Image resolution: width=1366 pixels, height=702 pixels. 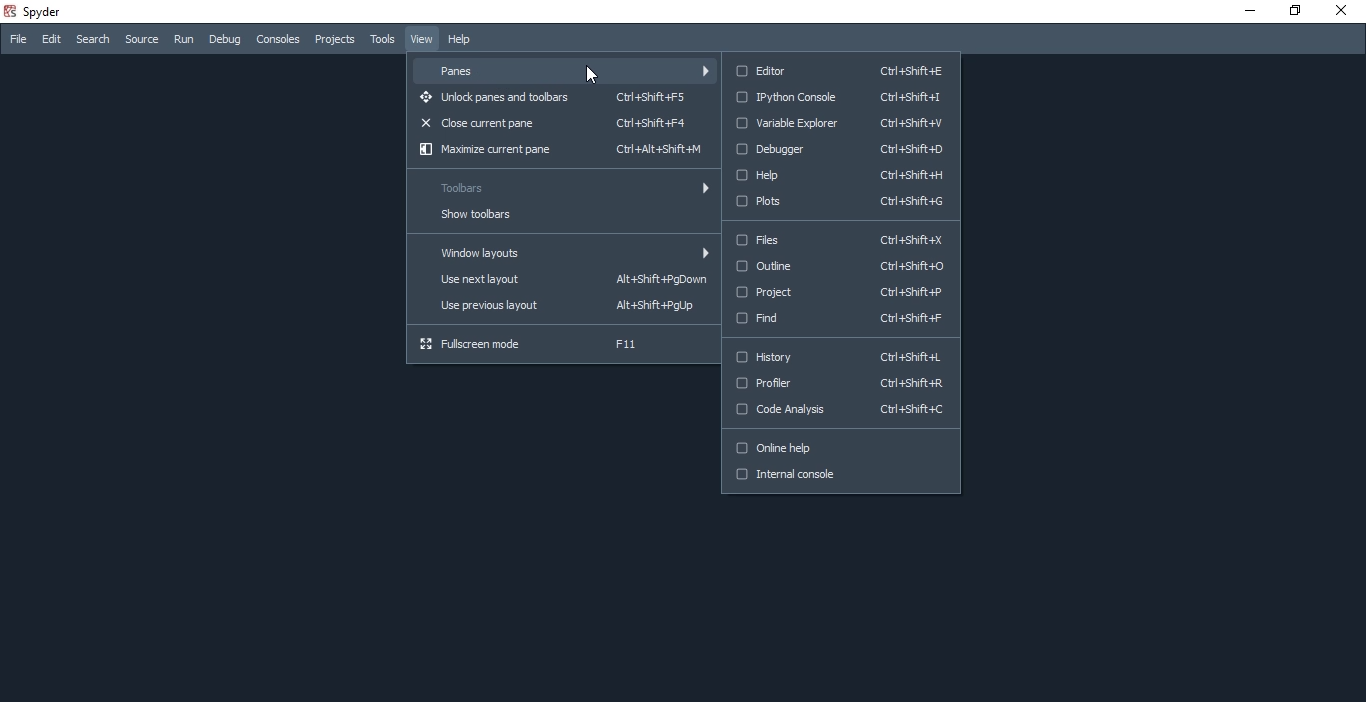 What do you see at coordinates (381, 39) in the screenshot?
I see `Tools` at bounding box center [381, 39].